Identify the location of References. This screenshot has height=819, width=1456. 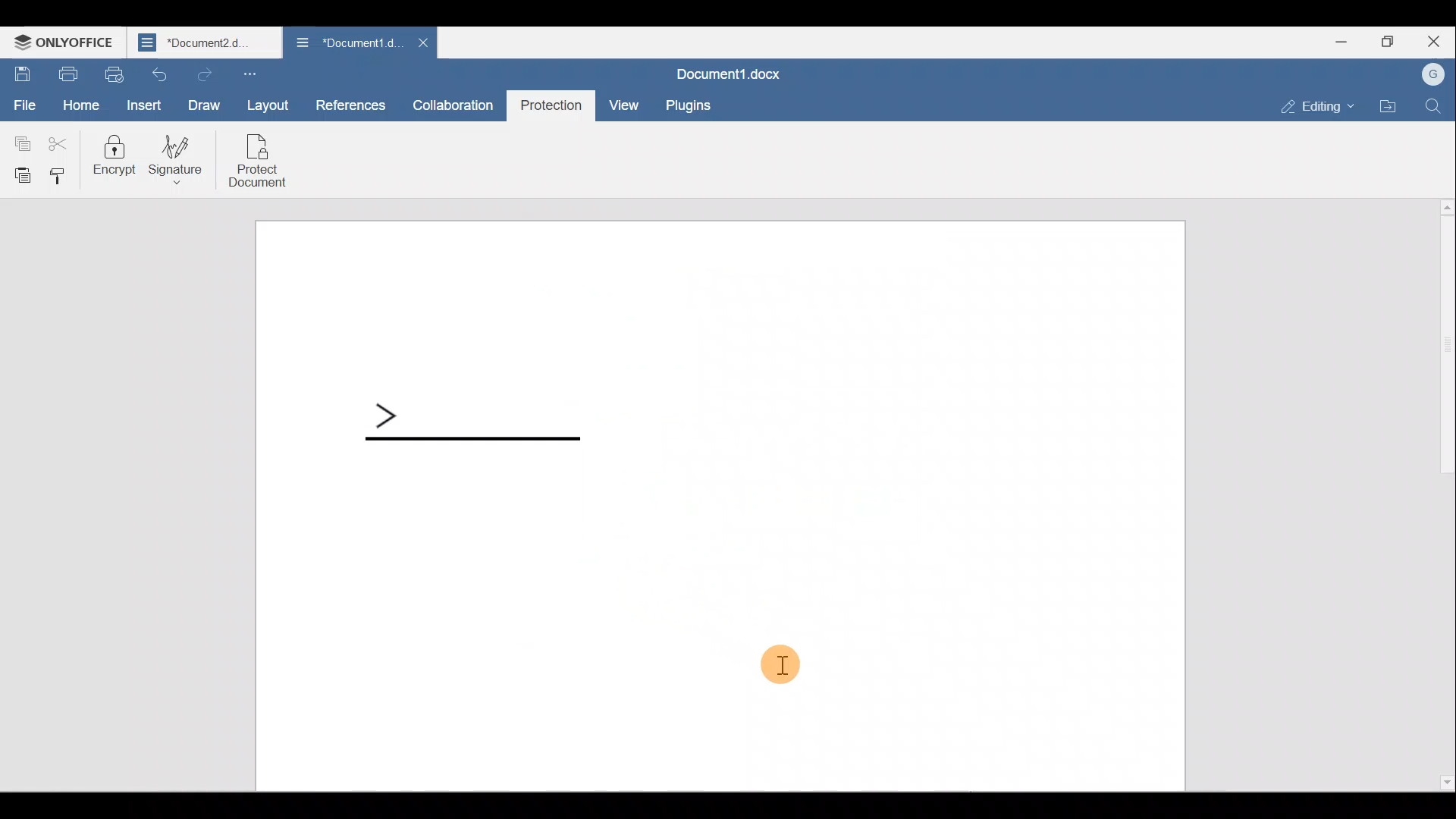
(350, 105).